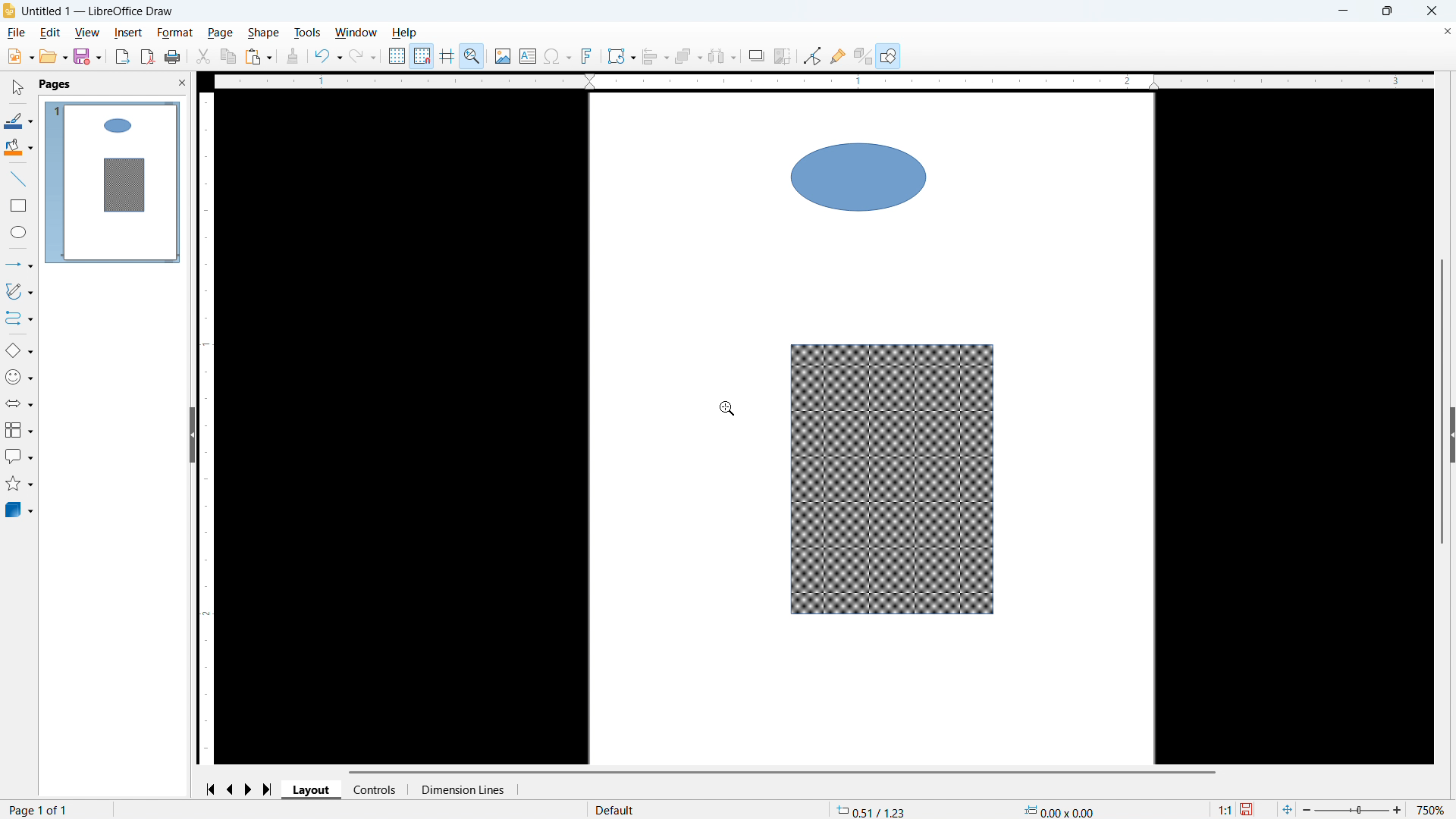 The image size is (1456, 819). I want to click on Close panel , so click(183, 83).